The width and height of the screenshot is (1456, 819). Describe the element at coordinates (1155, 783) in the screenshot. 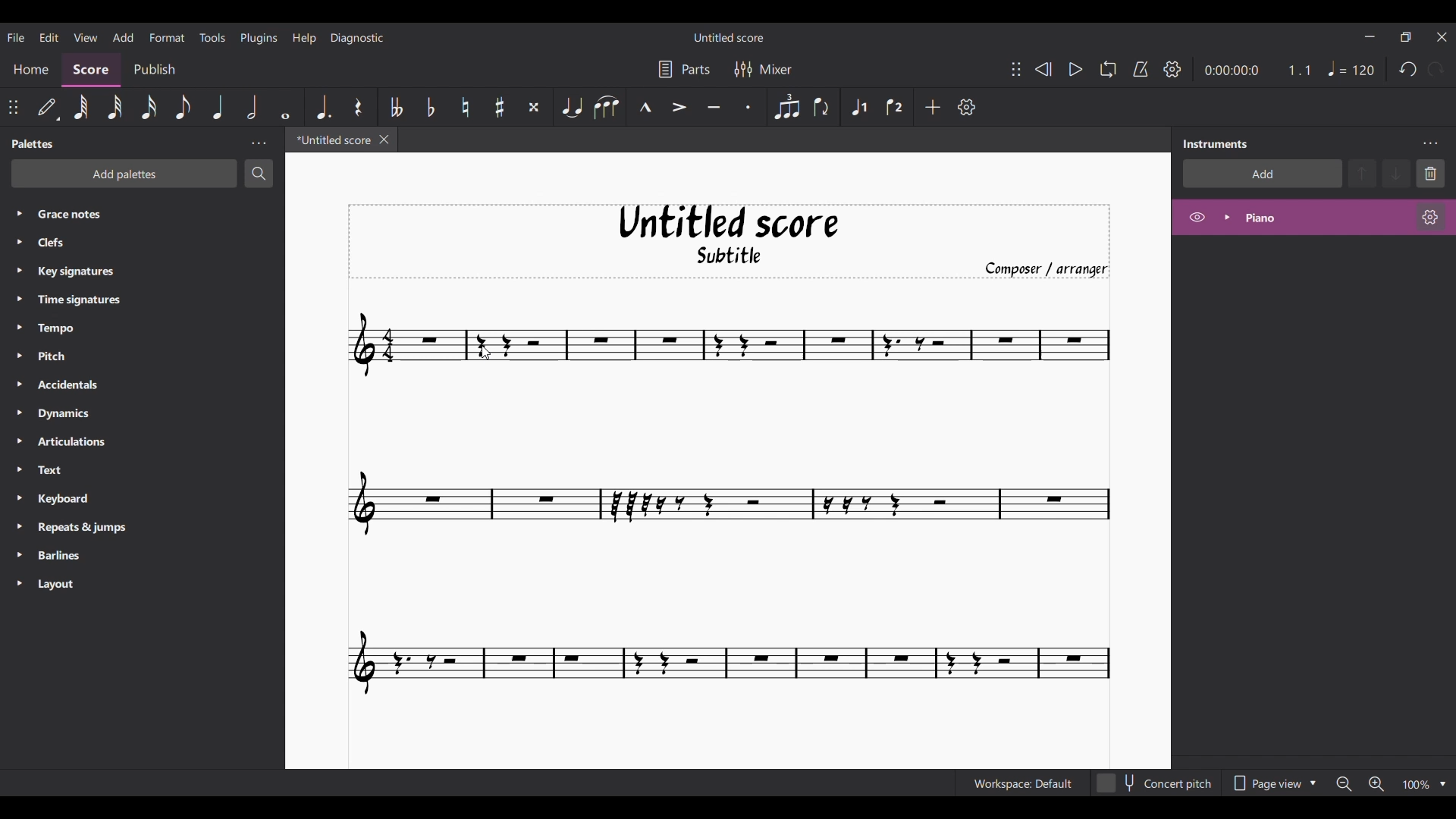

I see `Concert pitch toggle` at that location.